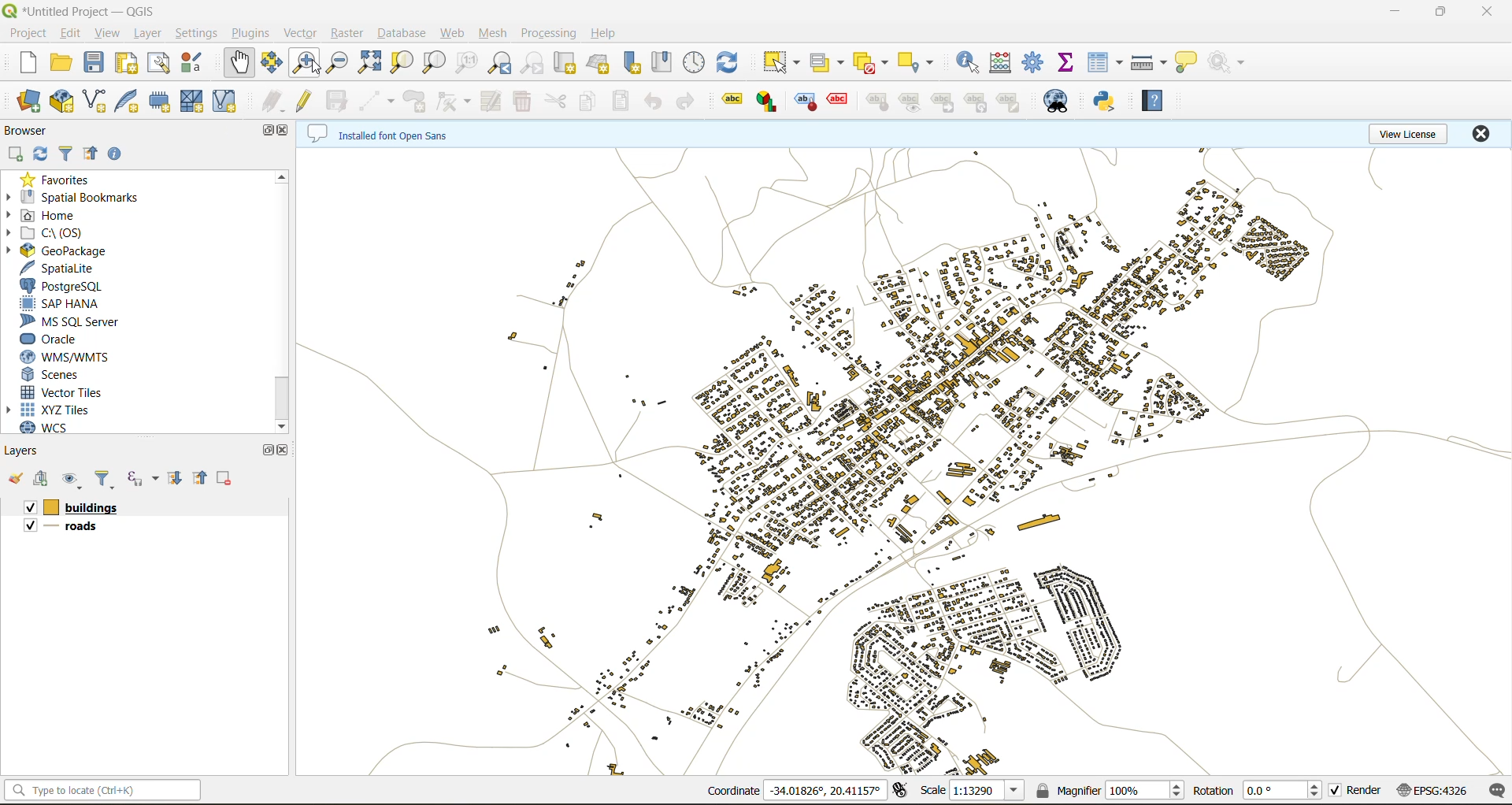 This screenshot has height=805, width=1512. What do you see at coordinates (33, 450) in the screenshot?
I see `layers` at bounding box center [33, 450].